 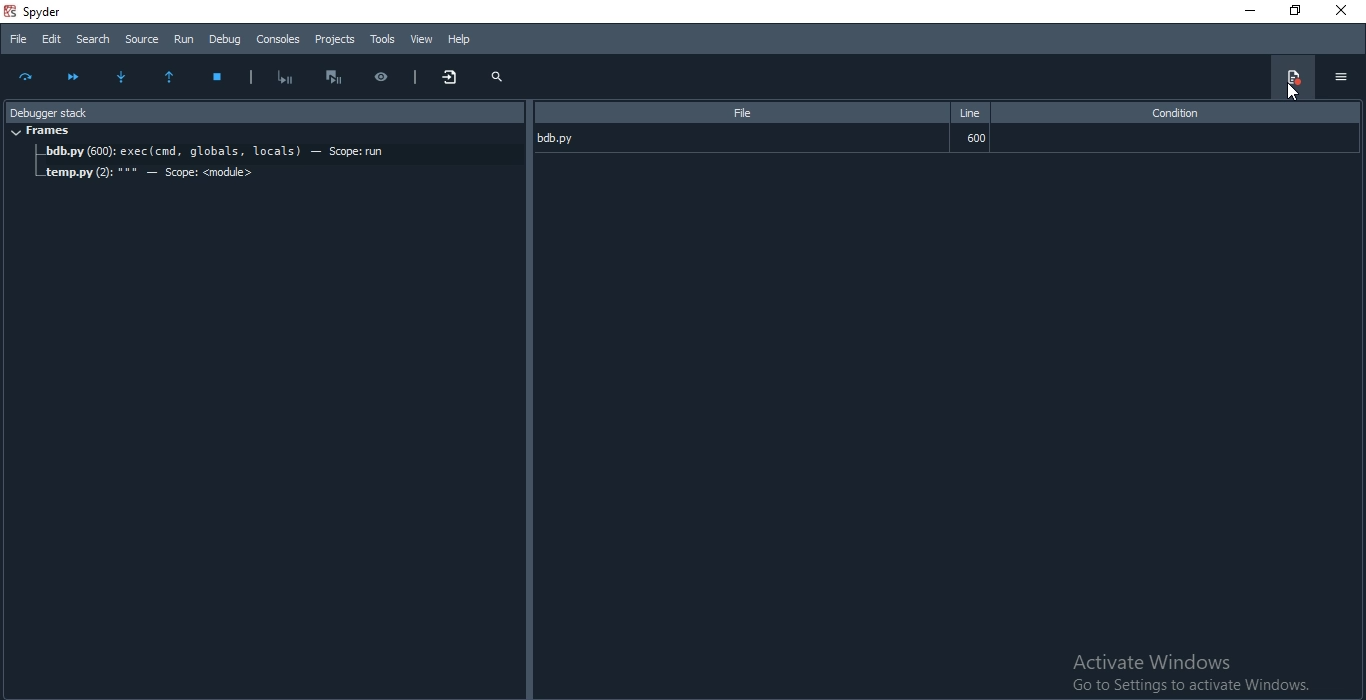 What do you see at coordinates (382, 39) in the screenshot?
I see `Tools` at bounding box center [382, 39].